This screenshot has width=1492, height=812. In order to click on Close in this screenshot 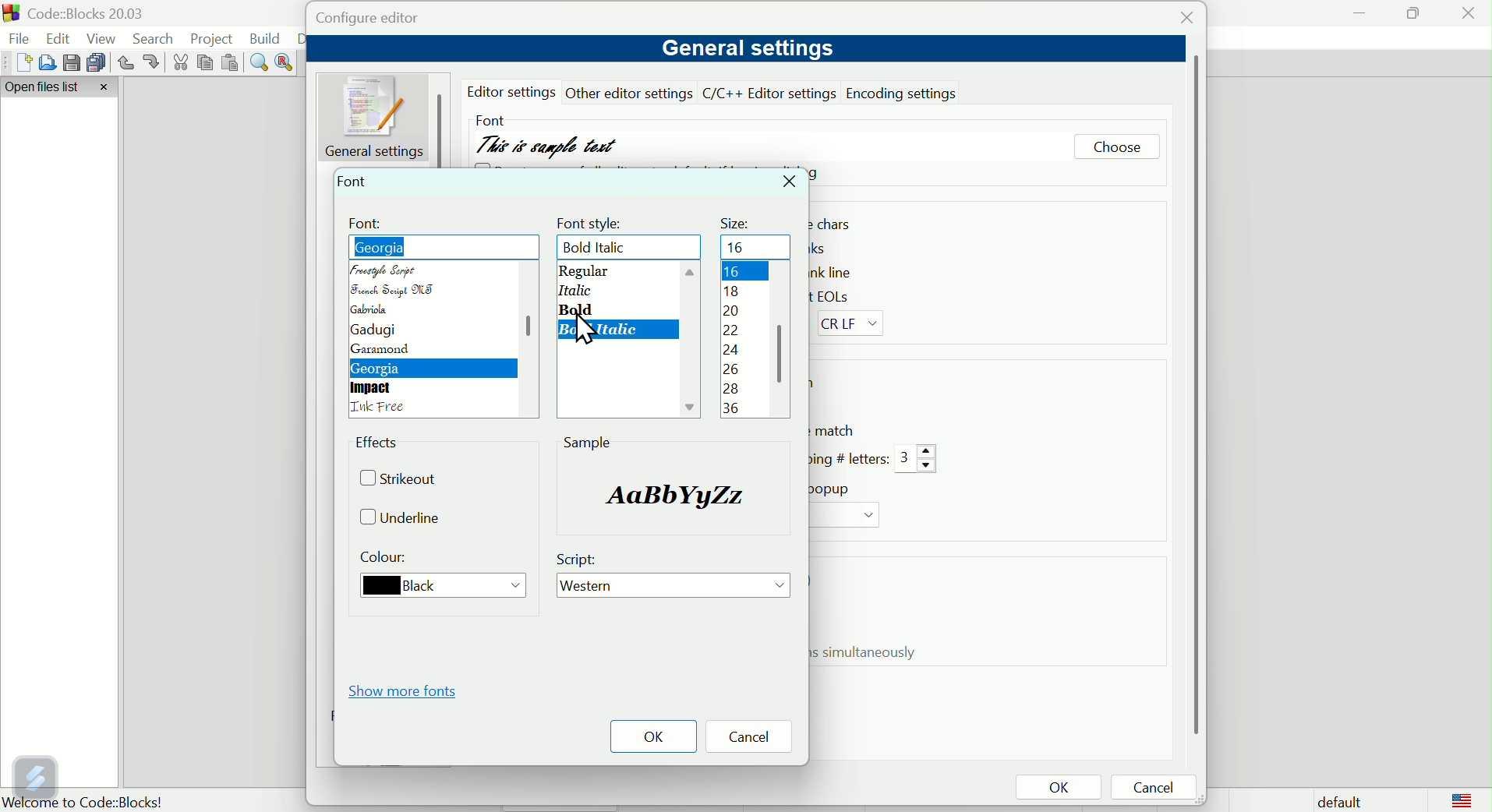, I will do `click(1183, 21)`.